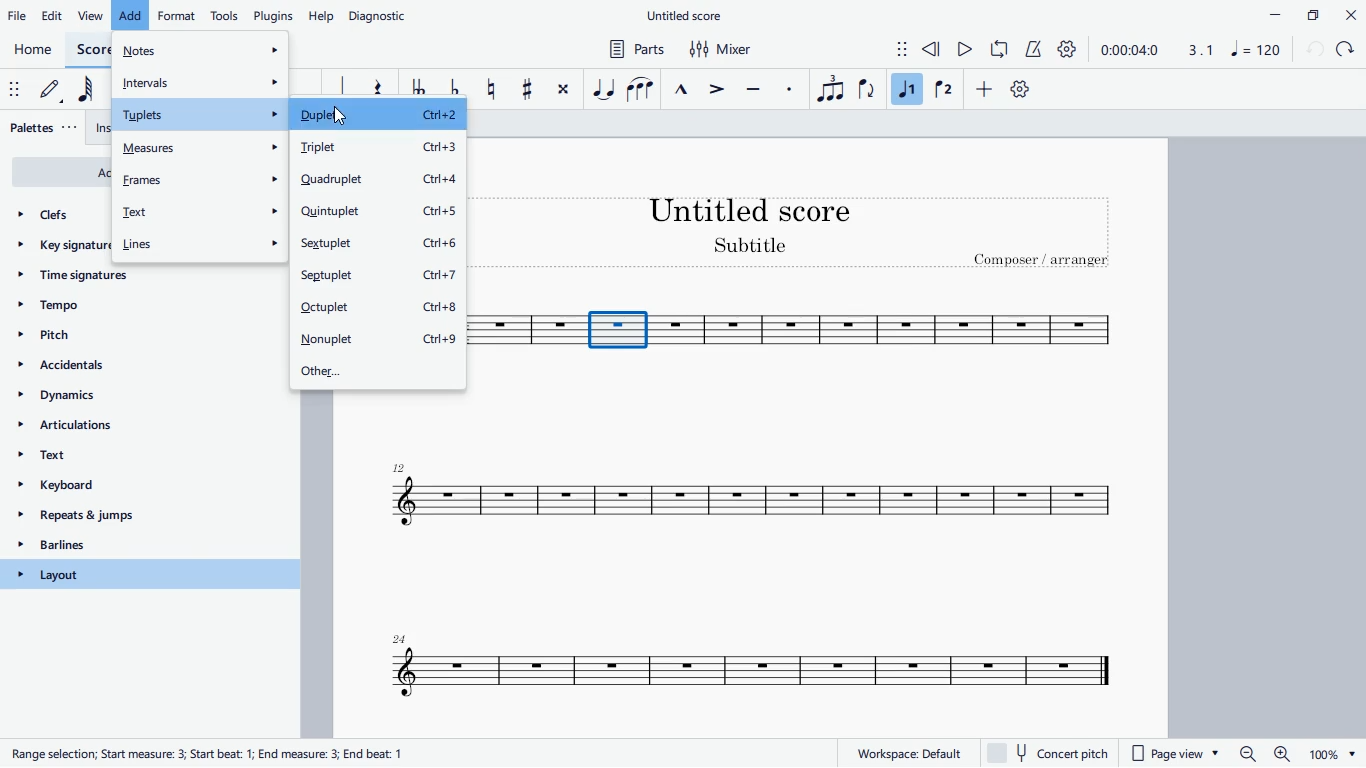 The width and height of the screenshot is (1366, 768). I want to click on settings, so click(1071, 50).